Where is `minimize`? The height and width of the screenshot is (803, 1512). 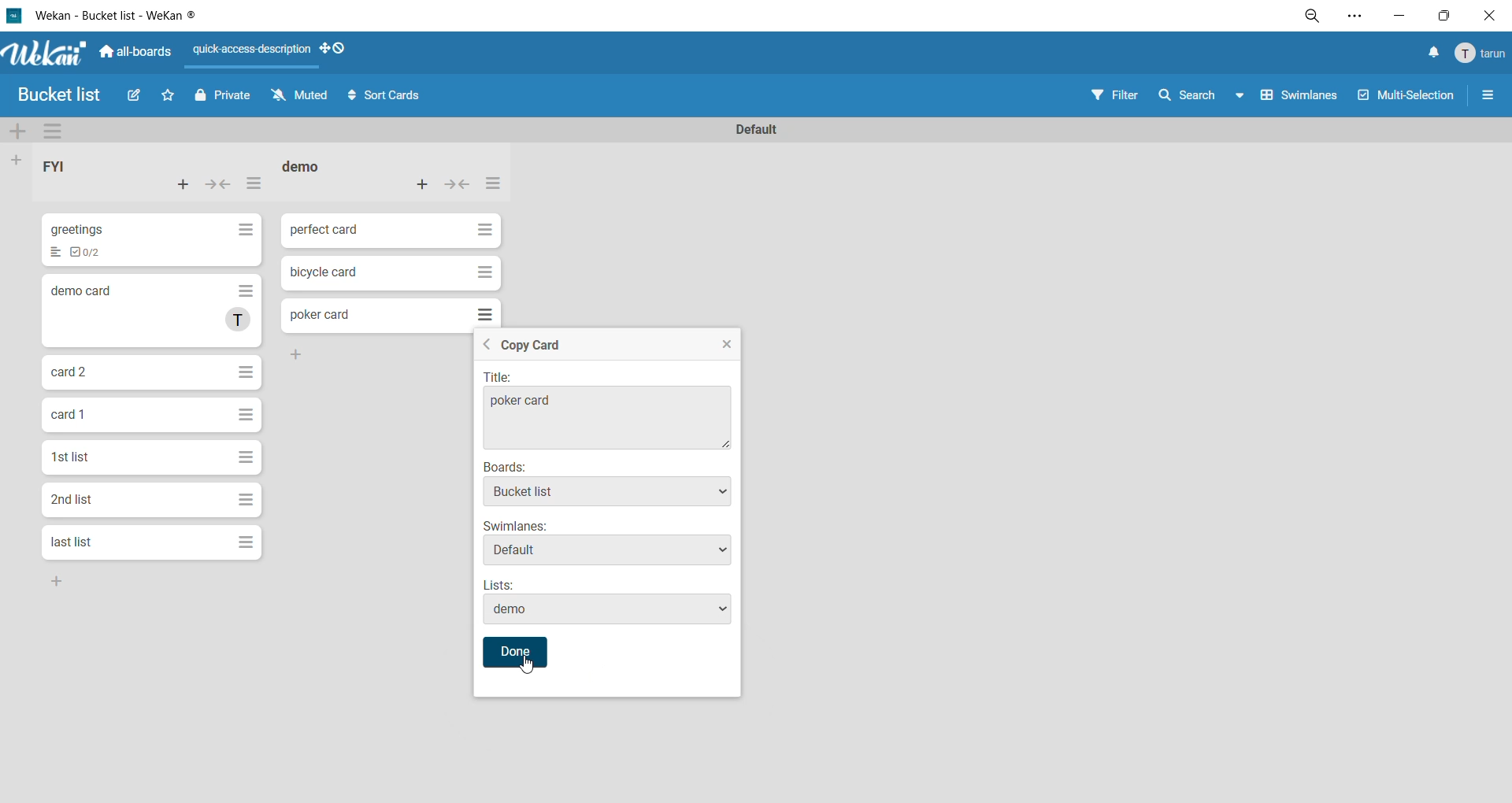 minimize is located at coordinates (1395, 16).